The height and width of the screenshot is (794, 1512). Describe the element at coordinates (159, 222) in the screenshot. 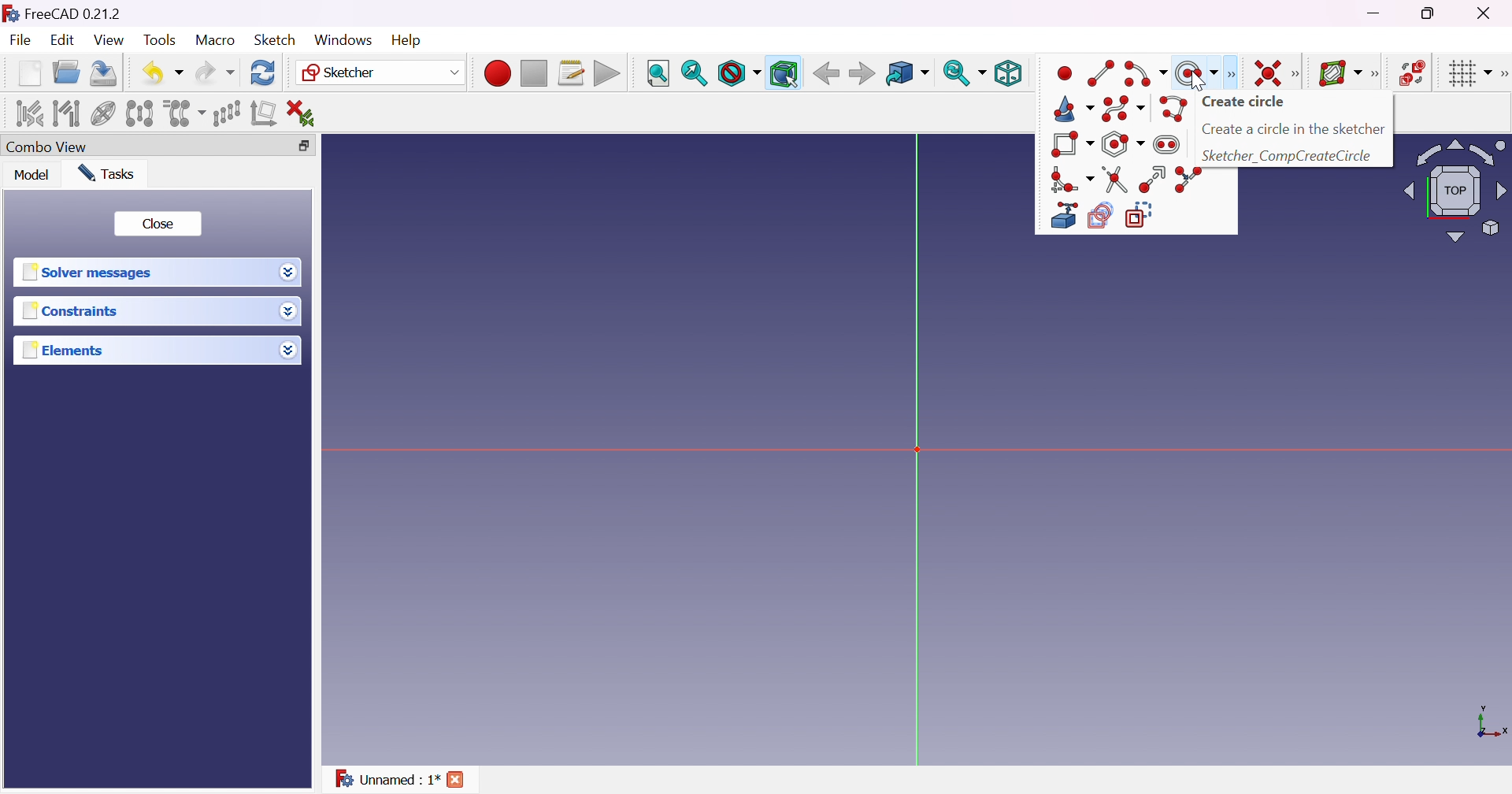

I see `Close` at that location.